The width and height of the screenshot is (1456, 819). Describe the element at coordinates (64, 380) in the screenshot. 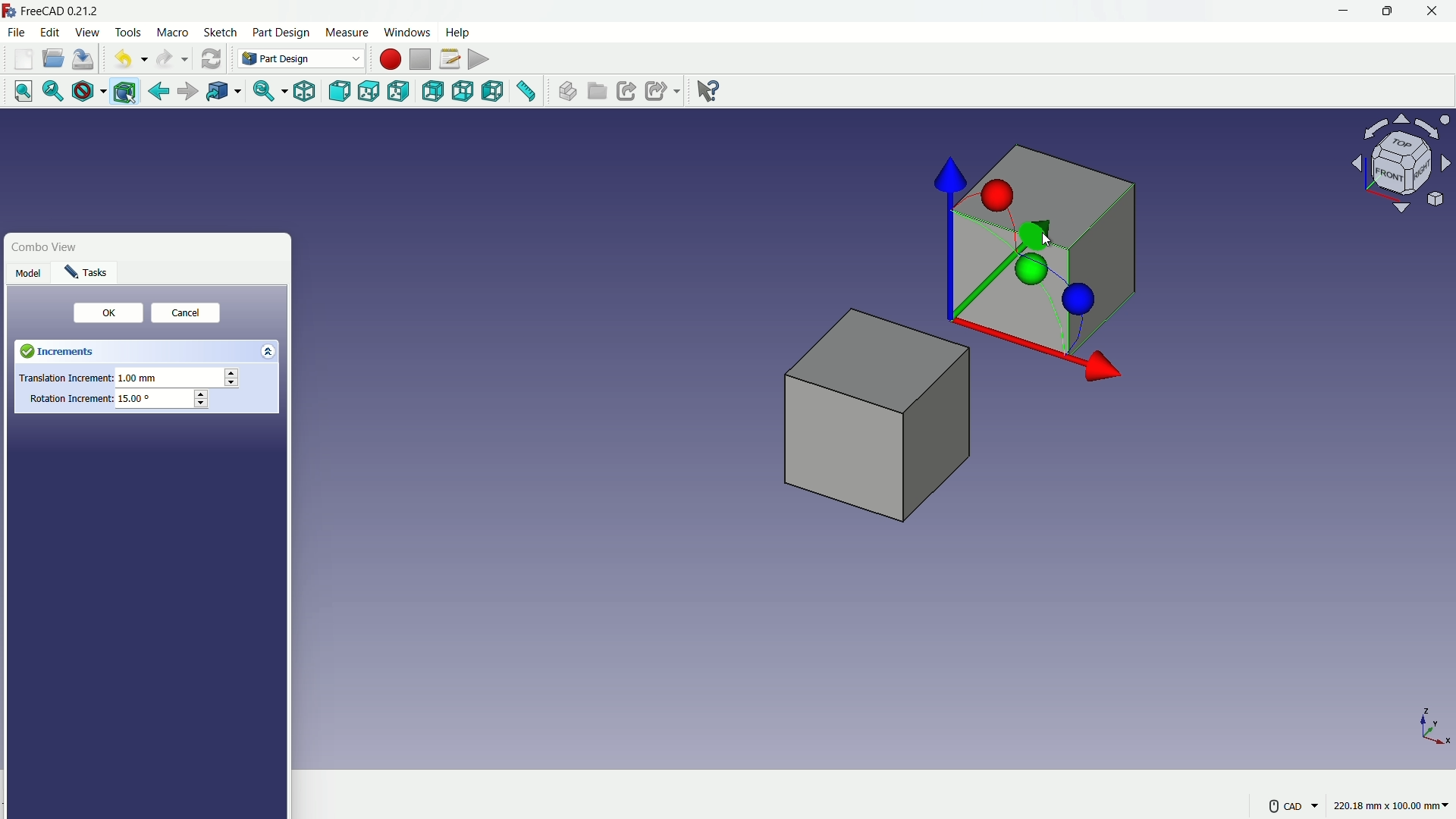

I see `Translation Increment:` at that location.